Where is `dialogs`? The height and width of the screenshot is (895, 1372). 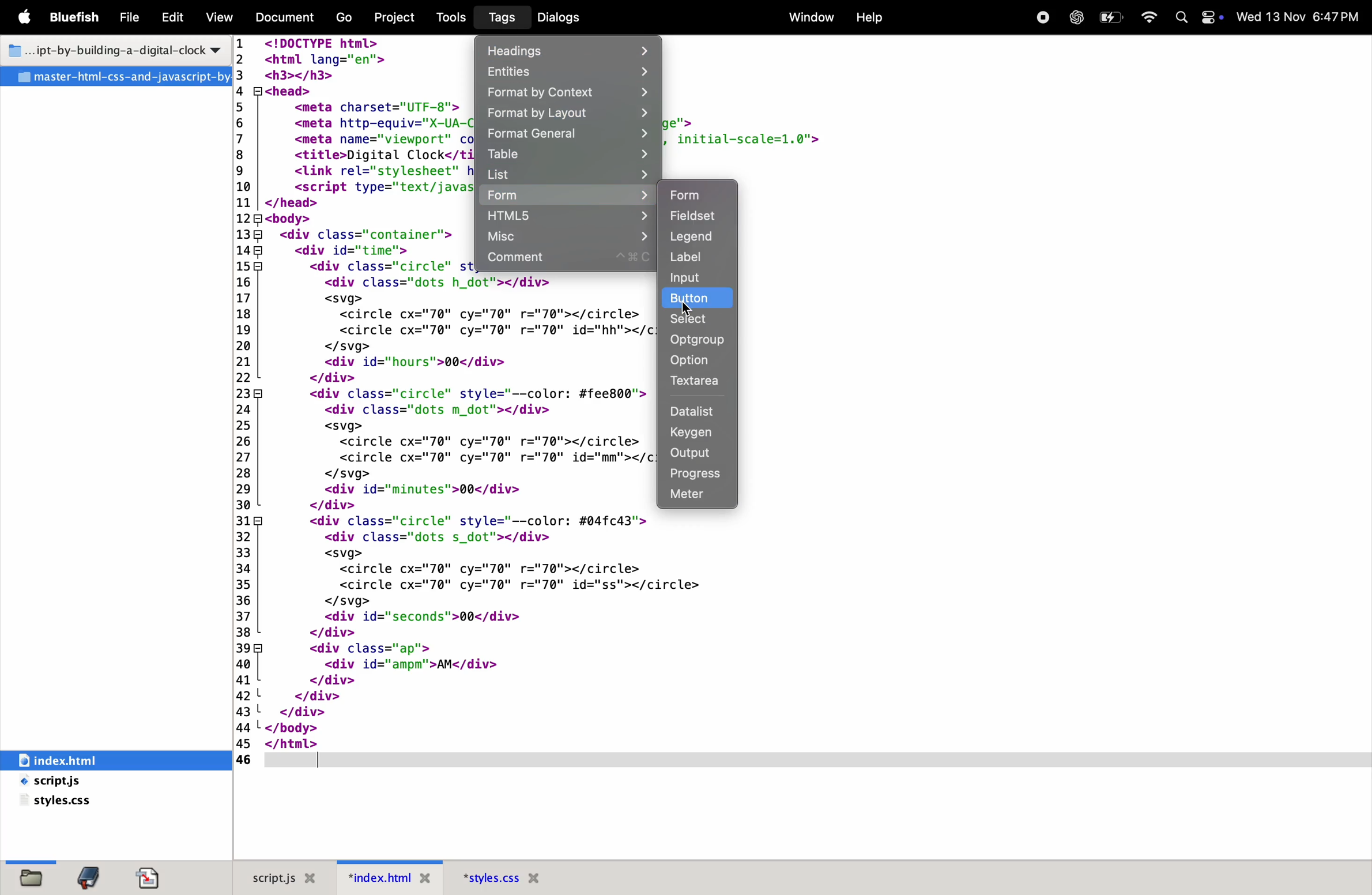
dialogs is located at coordinates (574, 16).